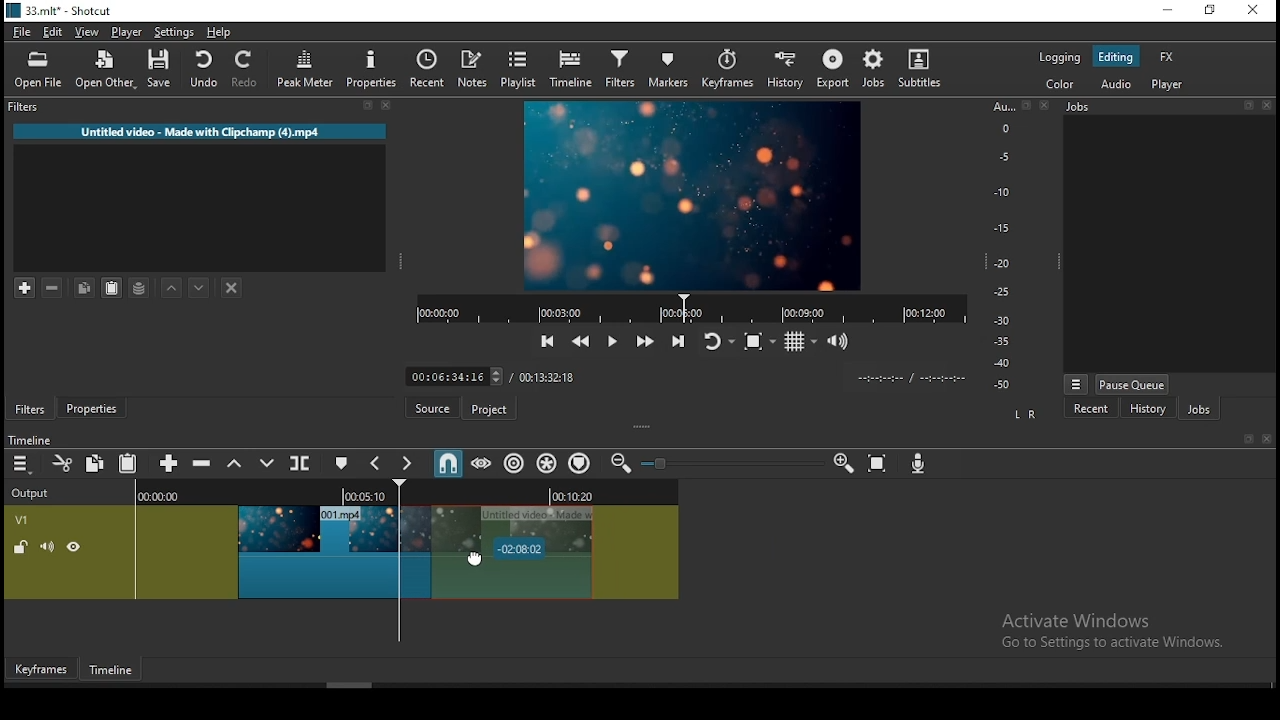  I want to click on play quickly forward, so click(643, 342).